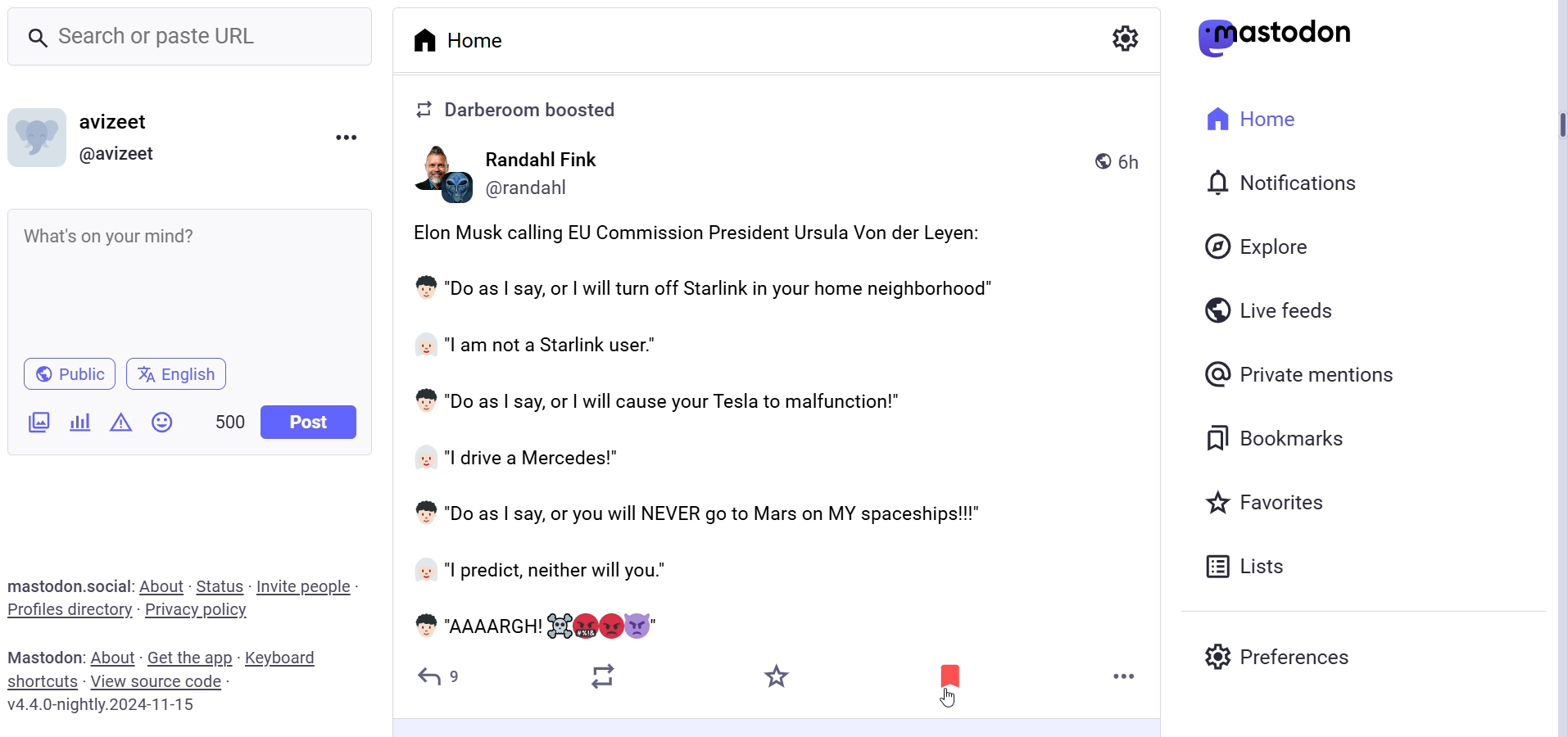  I want to click on About, so click(116, 659).